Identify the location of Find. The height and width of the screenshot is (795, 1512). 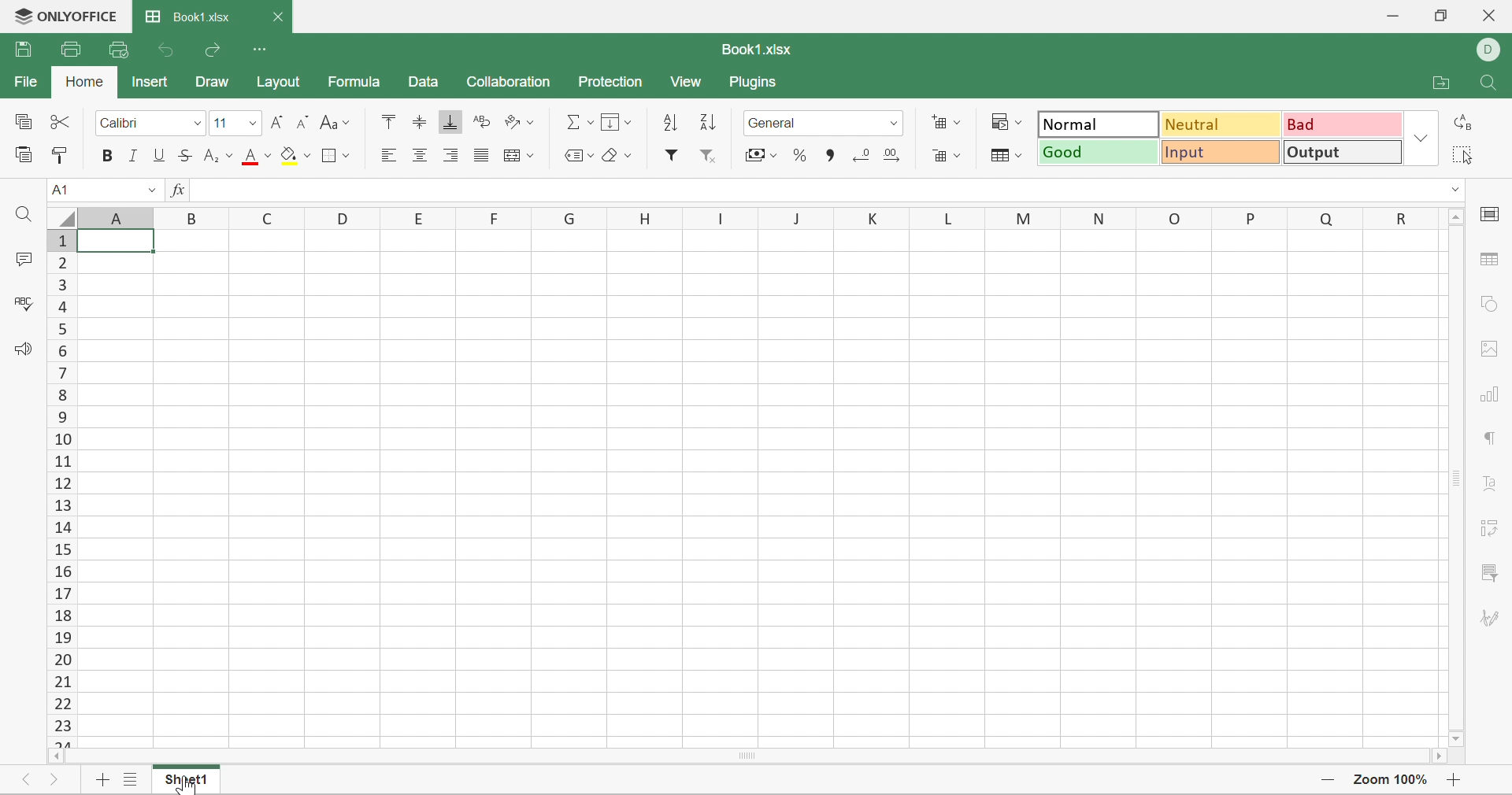
(22, 216).